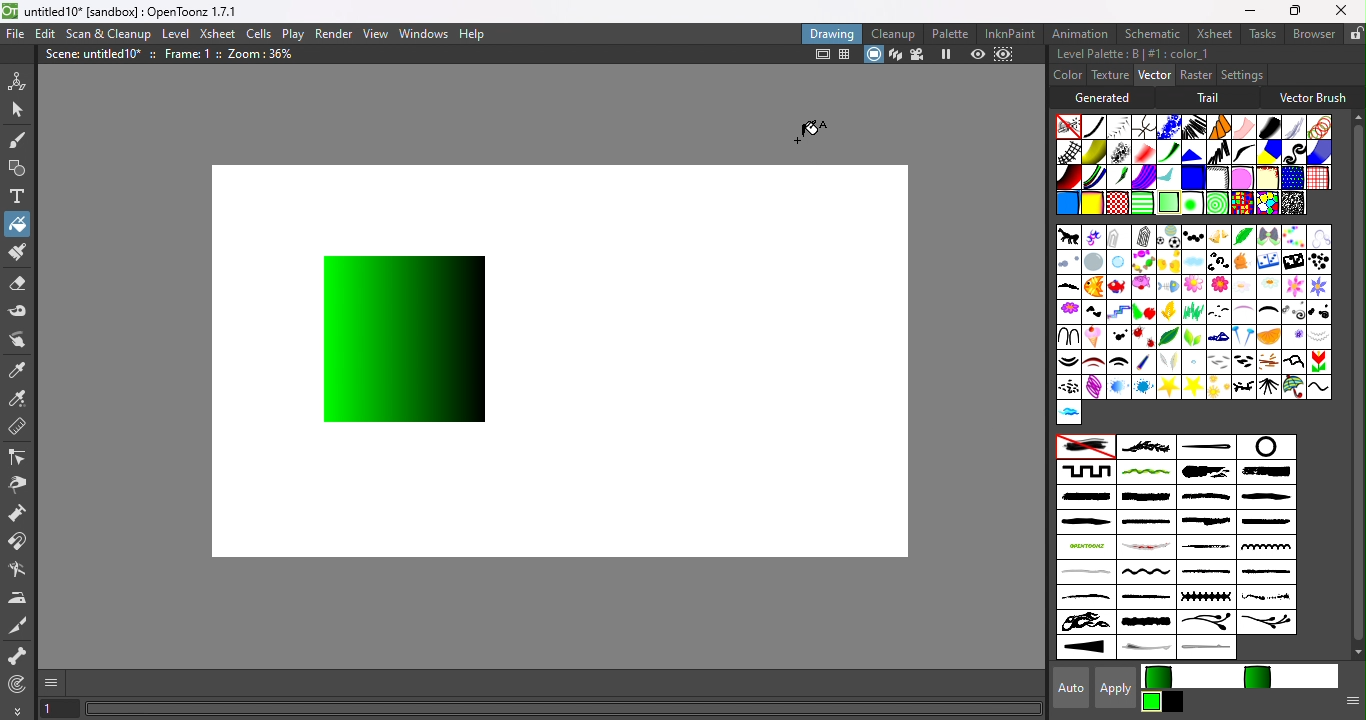 The image size is (1366, 720). I want to click on Xsheet, so click(217, 33).